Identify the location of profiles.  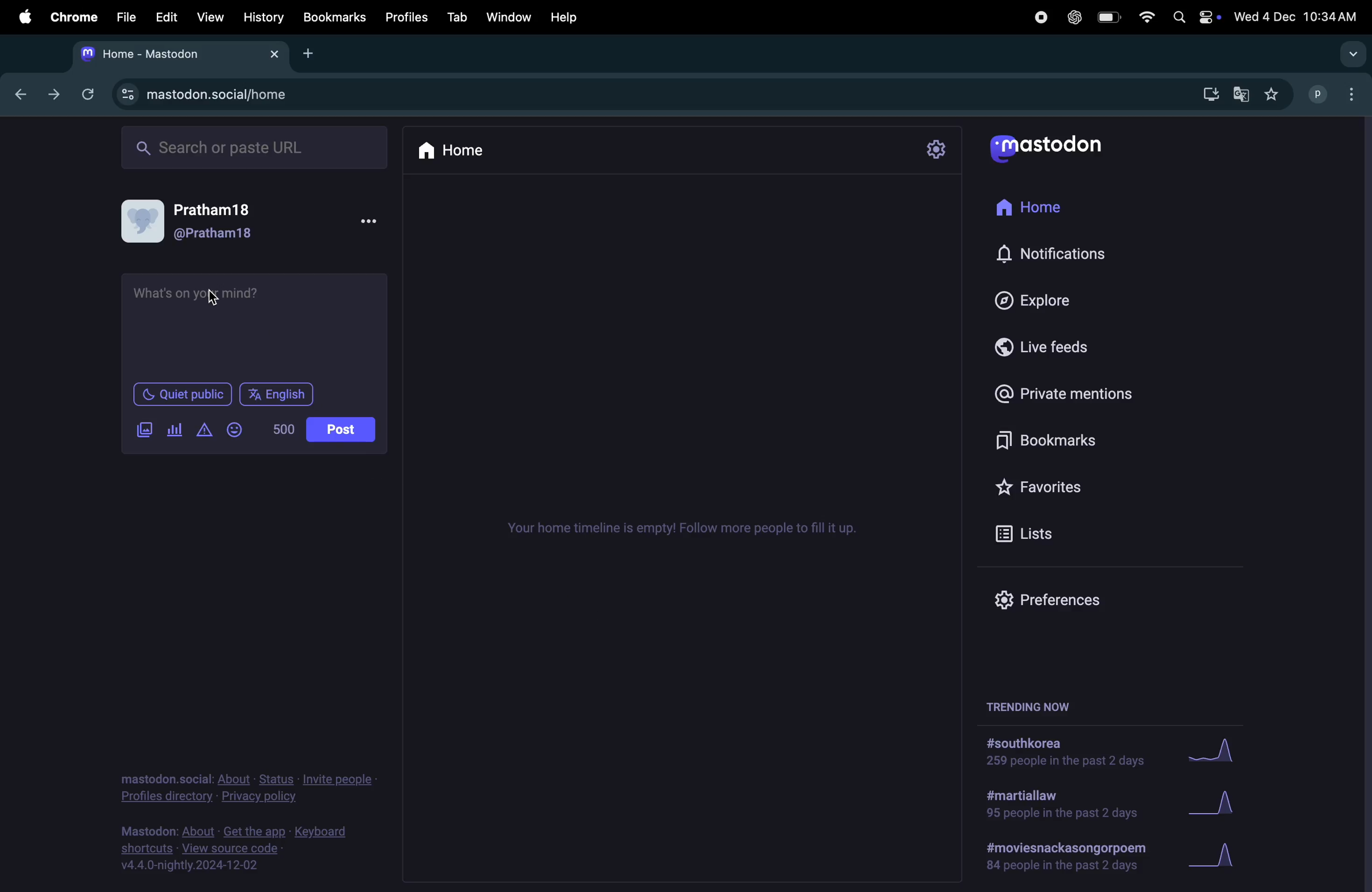
(409, 23).